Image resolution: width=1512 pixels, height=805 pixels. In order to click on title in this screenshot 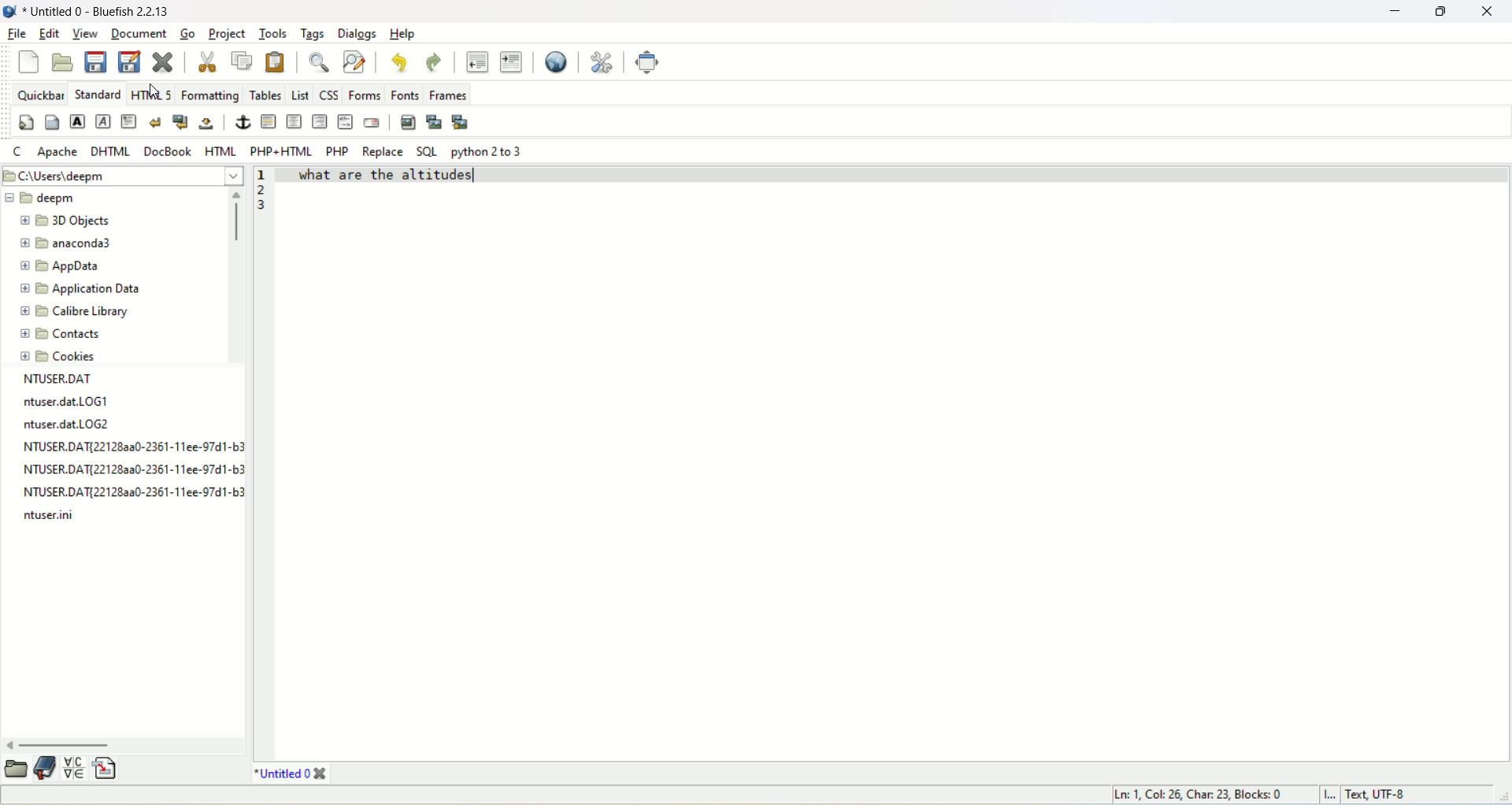, I will do `click(289, 775)`.